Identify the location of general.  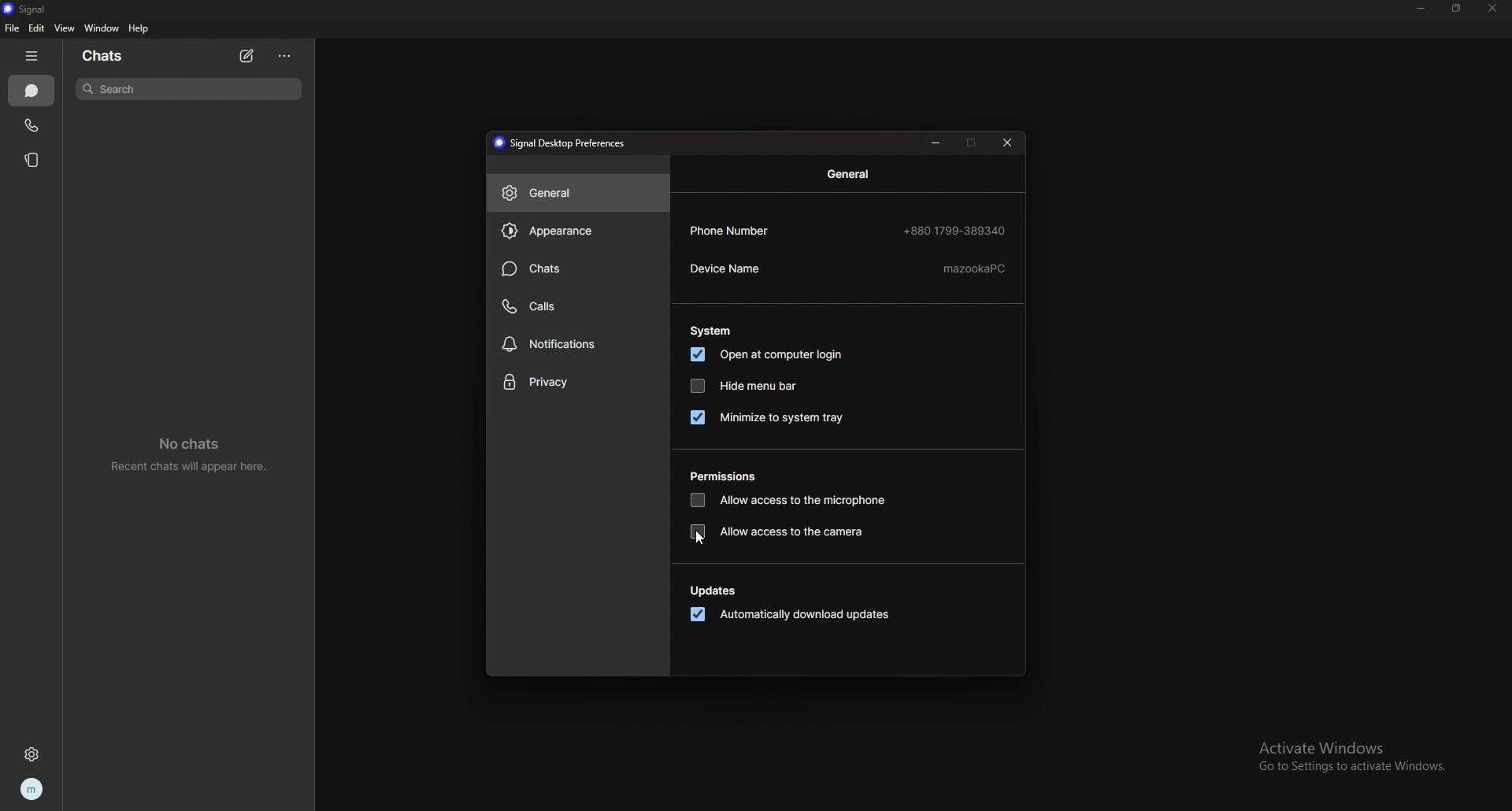
(577, 192).